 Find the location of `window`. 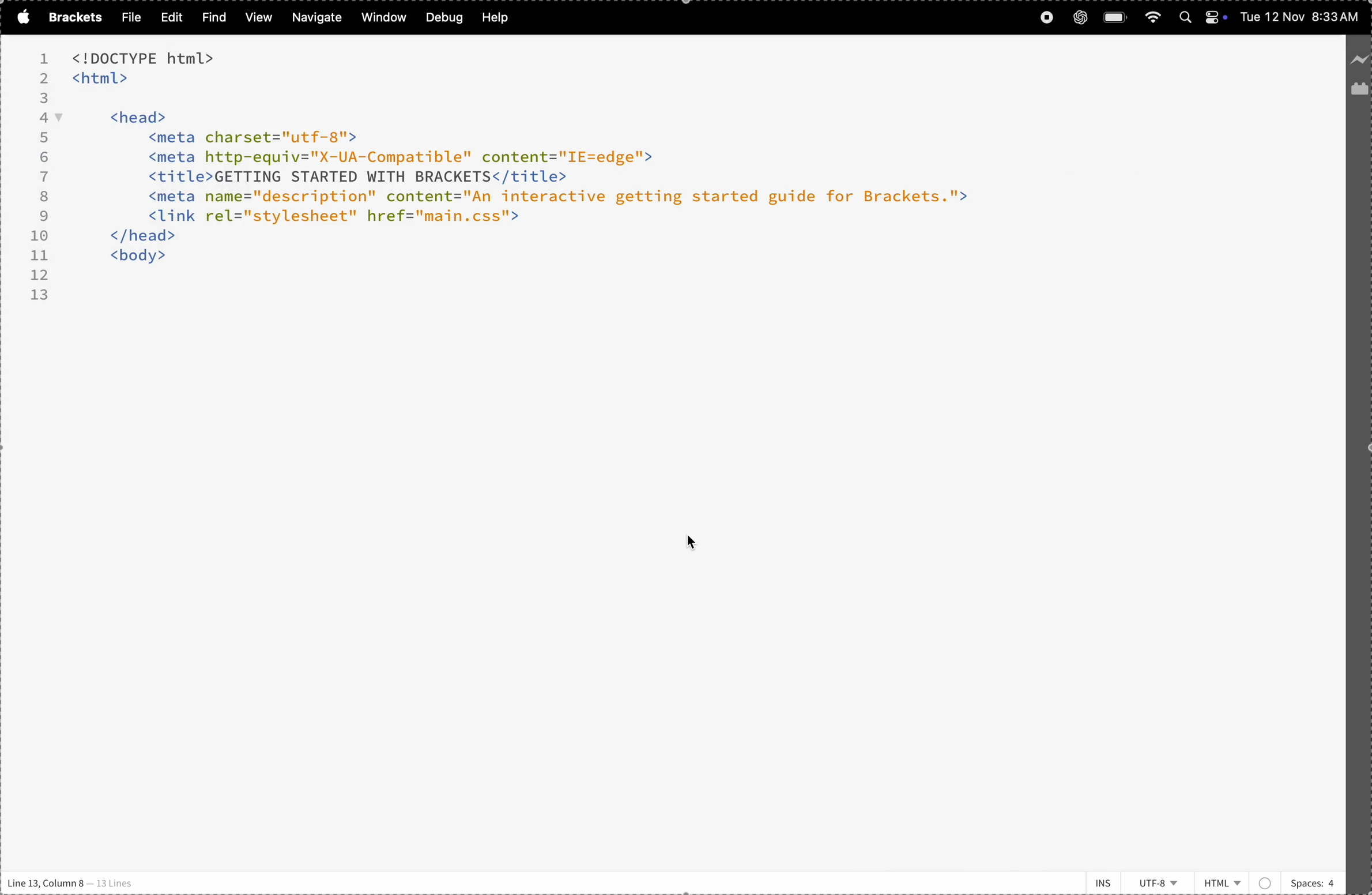

window is located at coordinates (382, 17).